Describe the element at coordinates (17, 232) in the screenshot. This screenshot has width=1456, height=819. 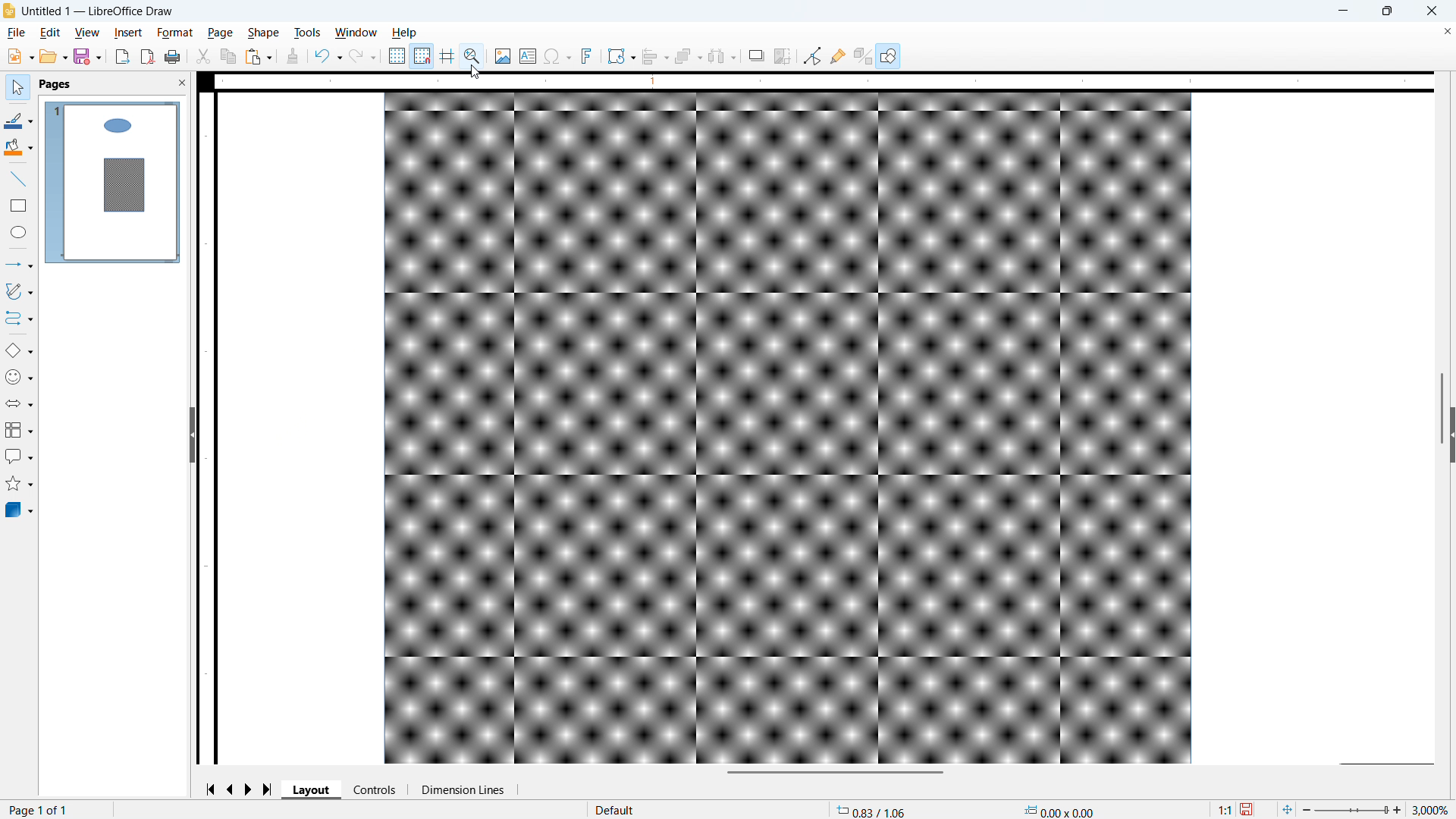
I see `Ellipse ` at that location.